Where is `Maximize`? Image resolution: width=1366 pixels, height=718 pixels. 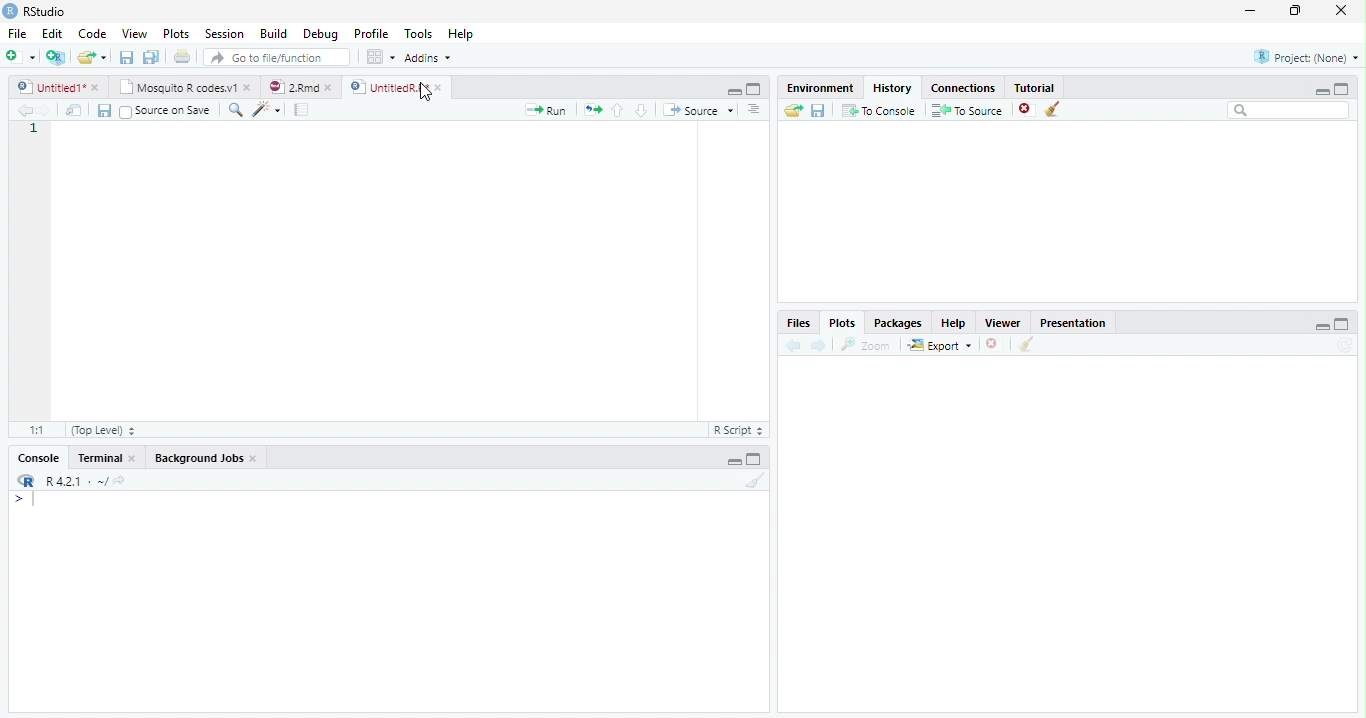
Maximize is located at coordinates (1297, 11).